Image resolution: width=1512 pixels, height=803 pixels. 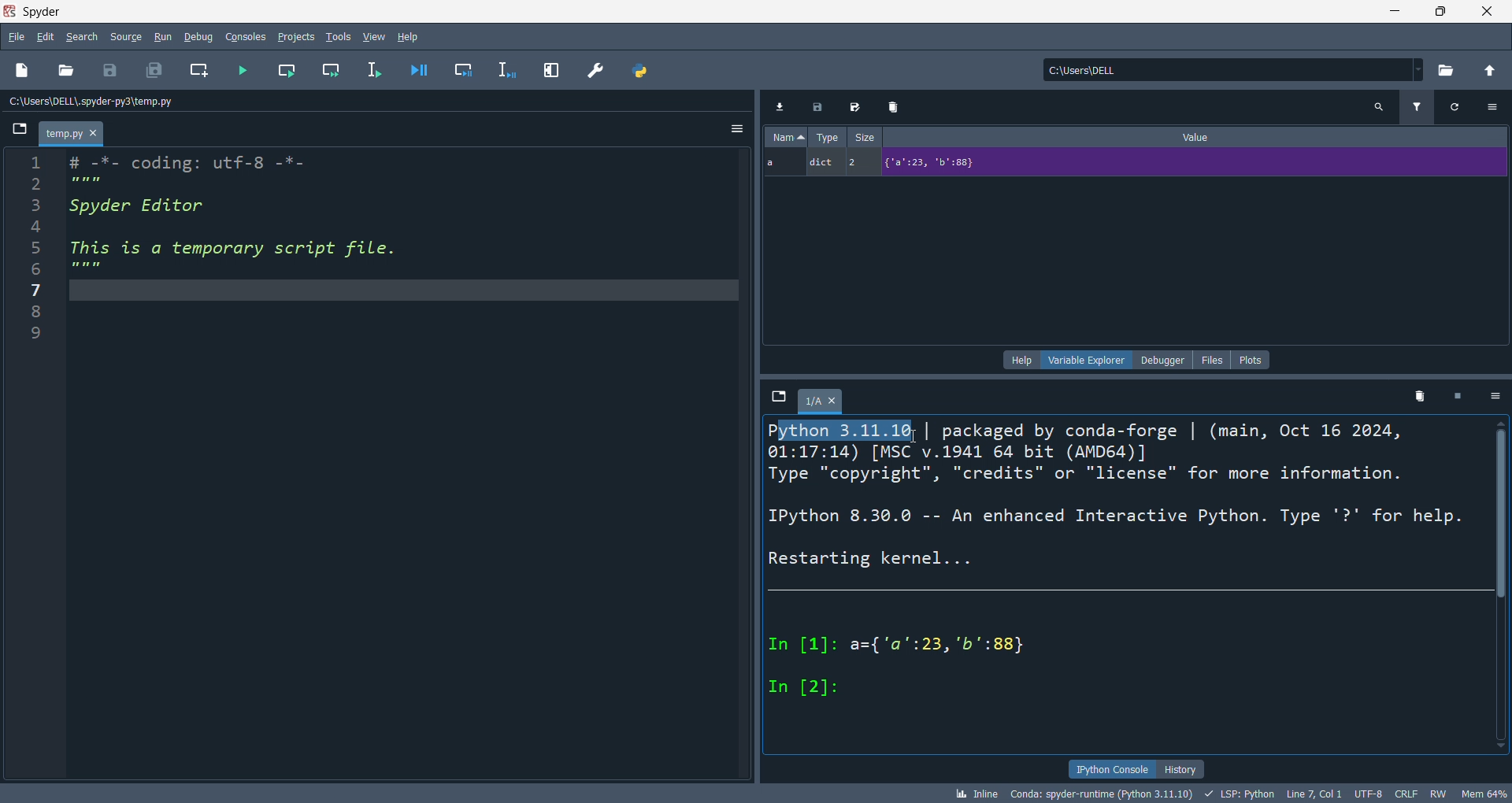 What do you see at coordinates (1386, 12) in the screenshot?
I see `minimize` at bounding box center [1386, 12].